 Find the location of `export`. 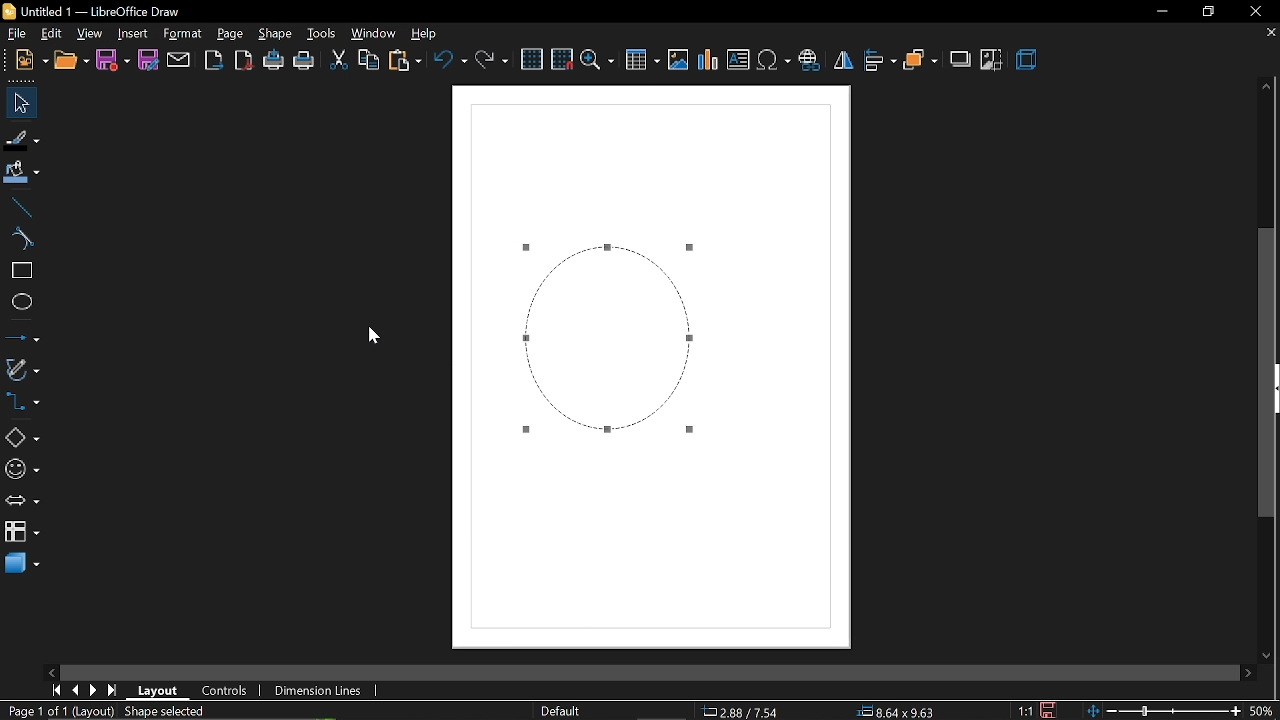

export is located at coordinates (211, 60).